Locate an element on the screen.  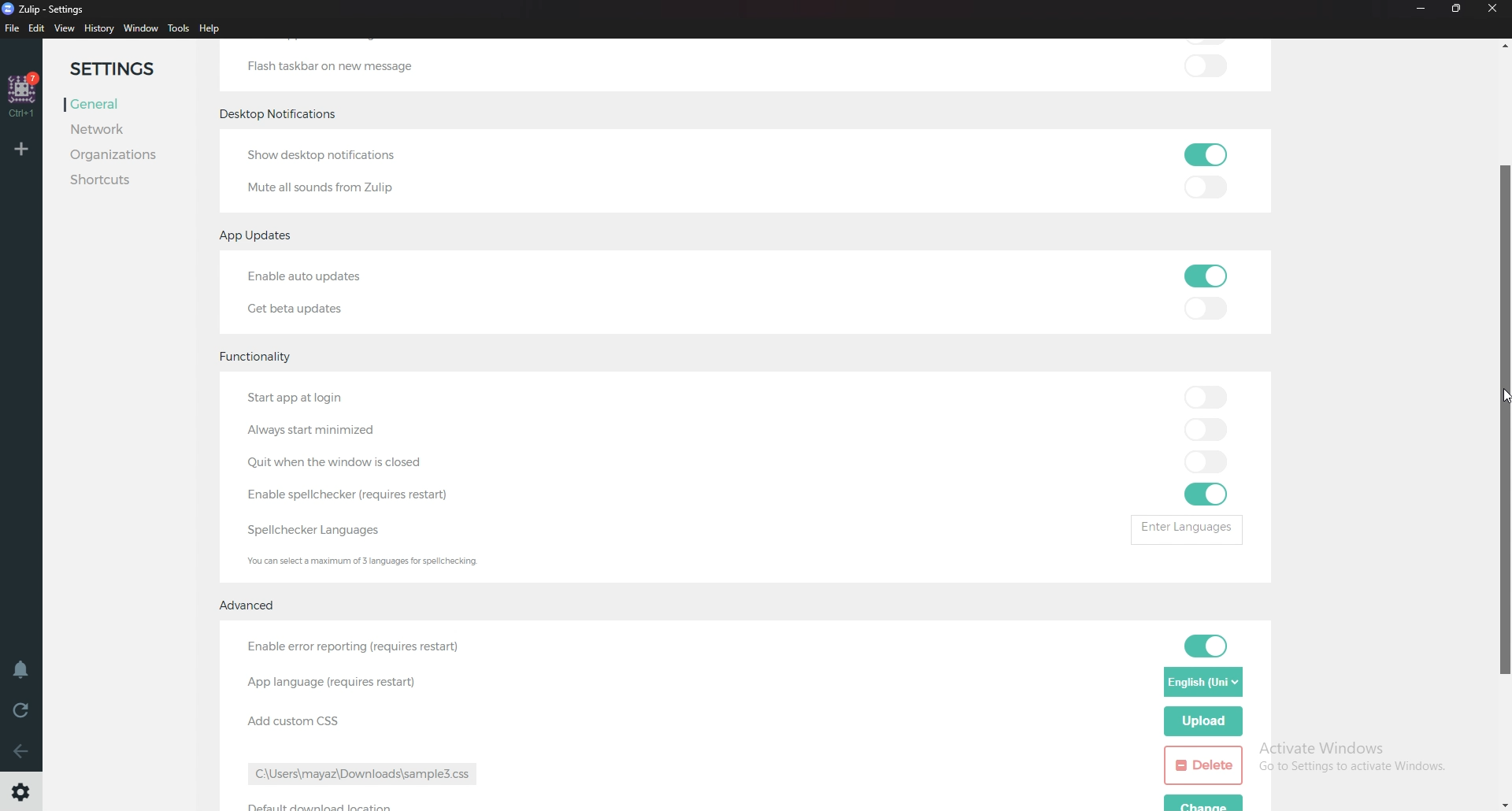
Help is located at coordinates (212, 28).